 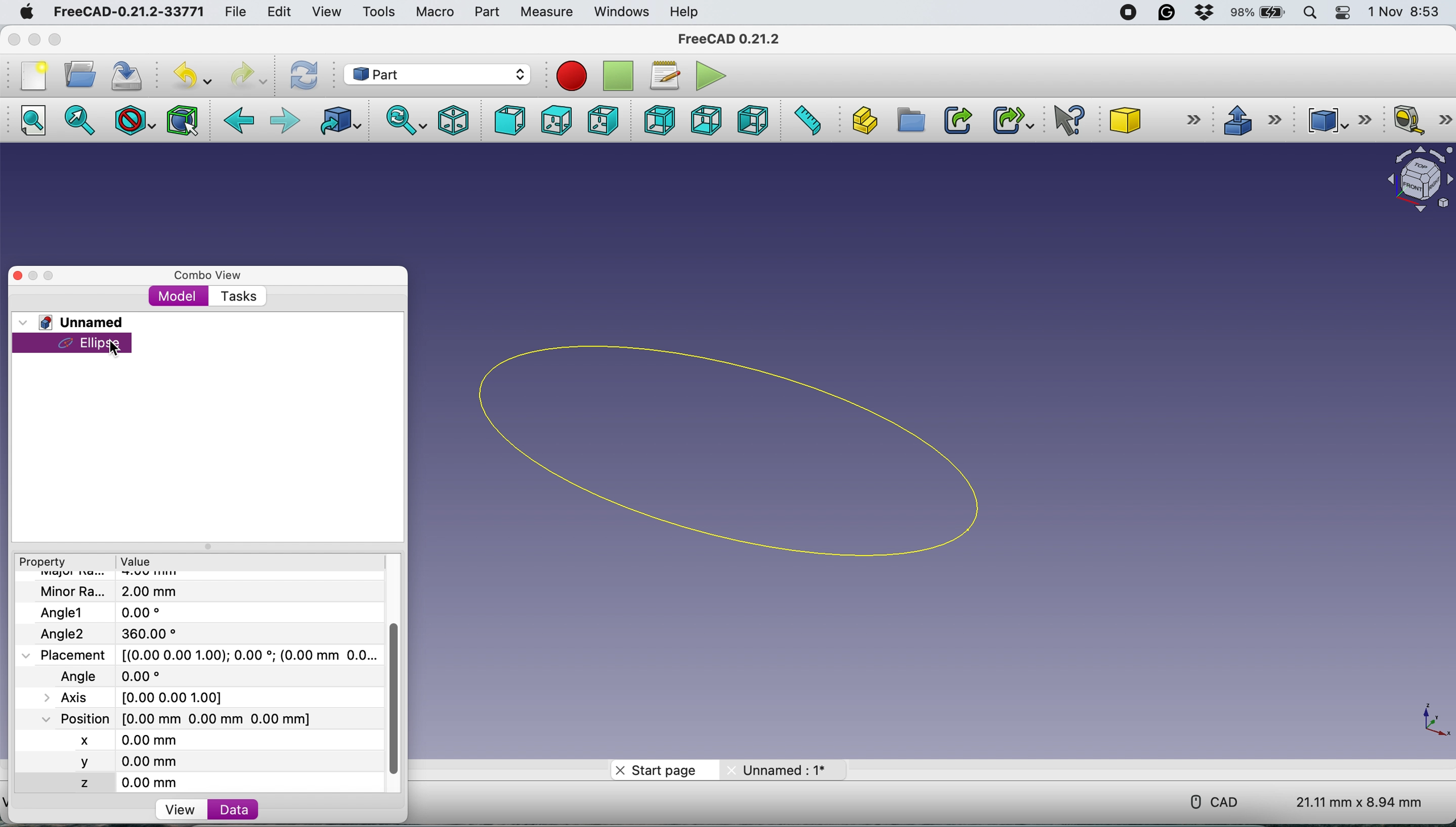 I want to click on unnamed, so click(x=77, y=322).